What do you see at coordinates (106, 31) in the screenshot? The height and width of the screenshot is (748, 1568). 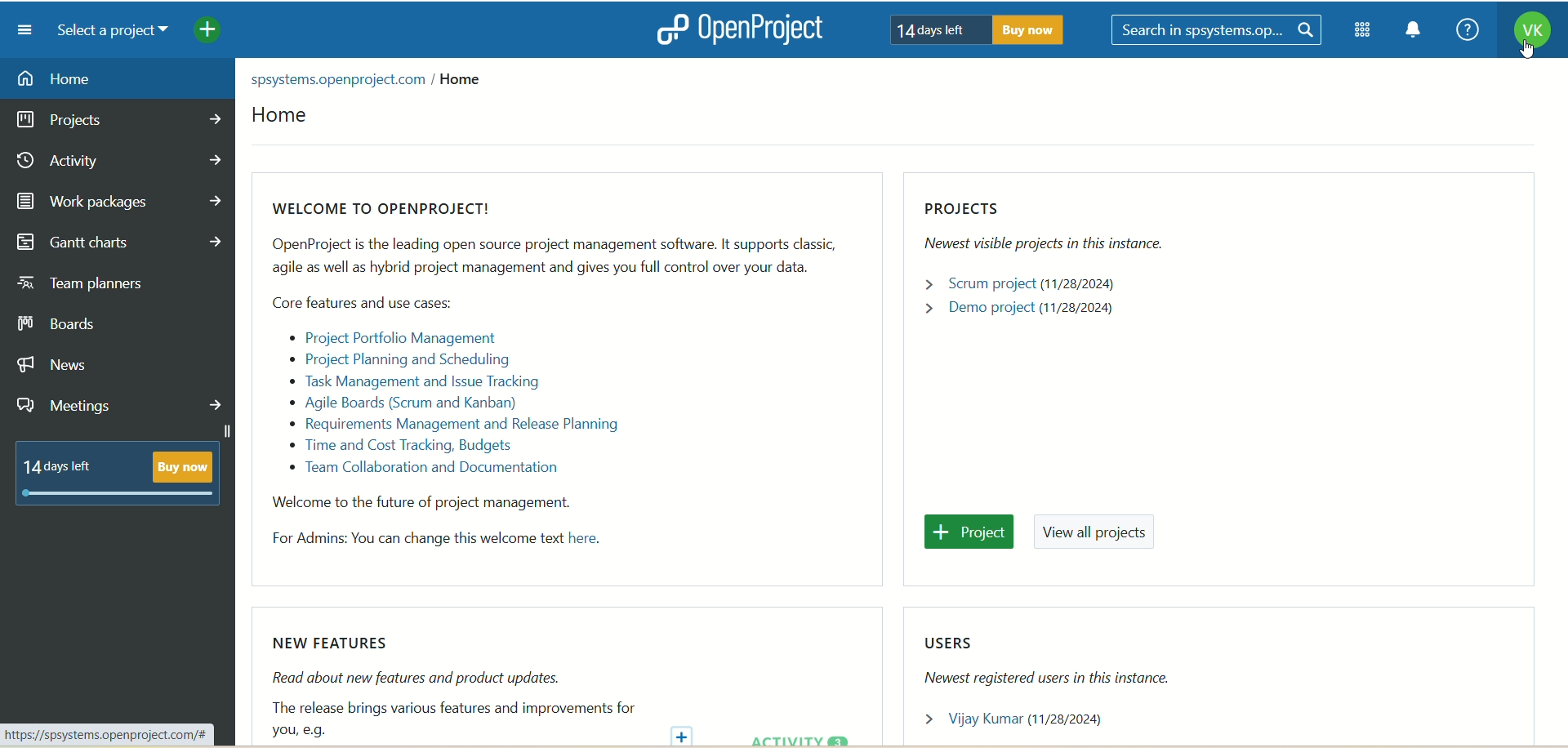 I see `select a project` at bounding box center [106, 31].